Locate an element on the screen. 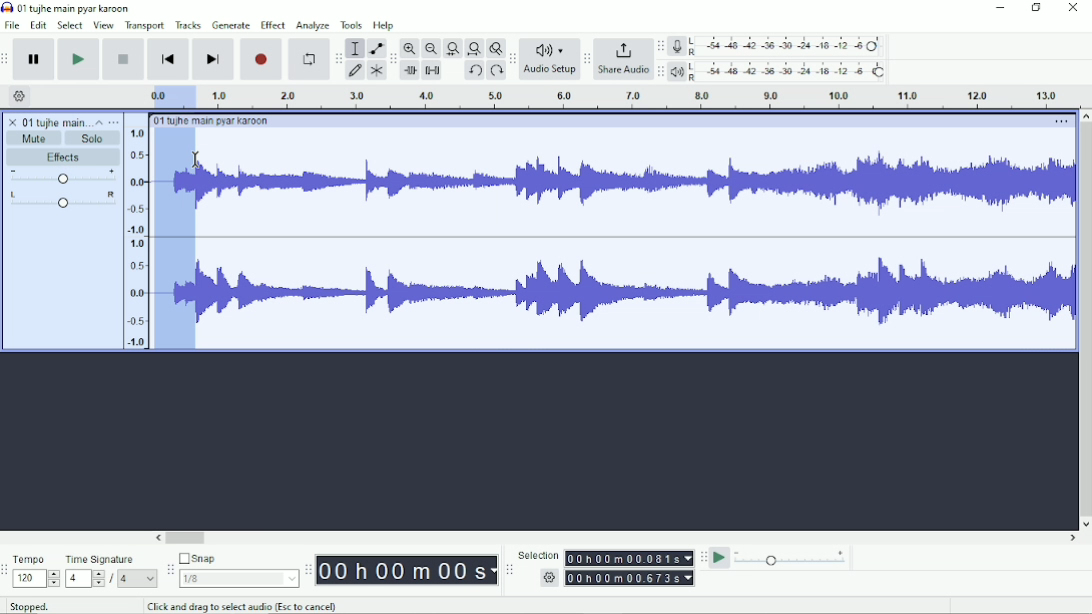 This screenshot has width=1092, height=614. Trim audio outside selection is located at coordinates (409, 71).